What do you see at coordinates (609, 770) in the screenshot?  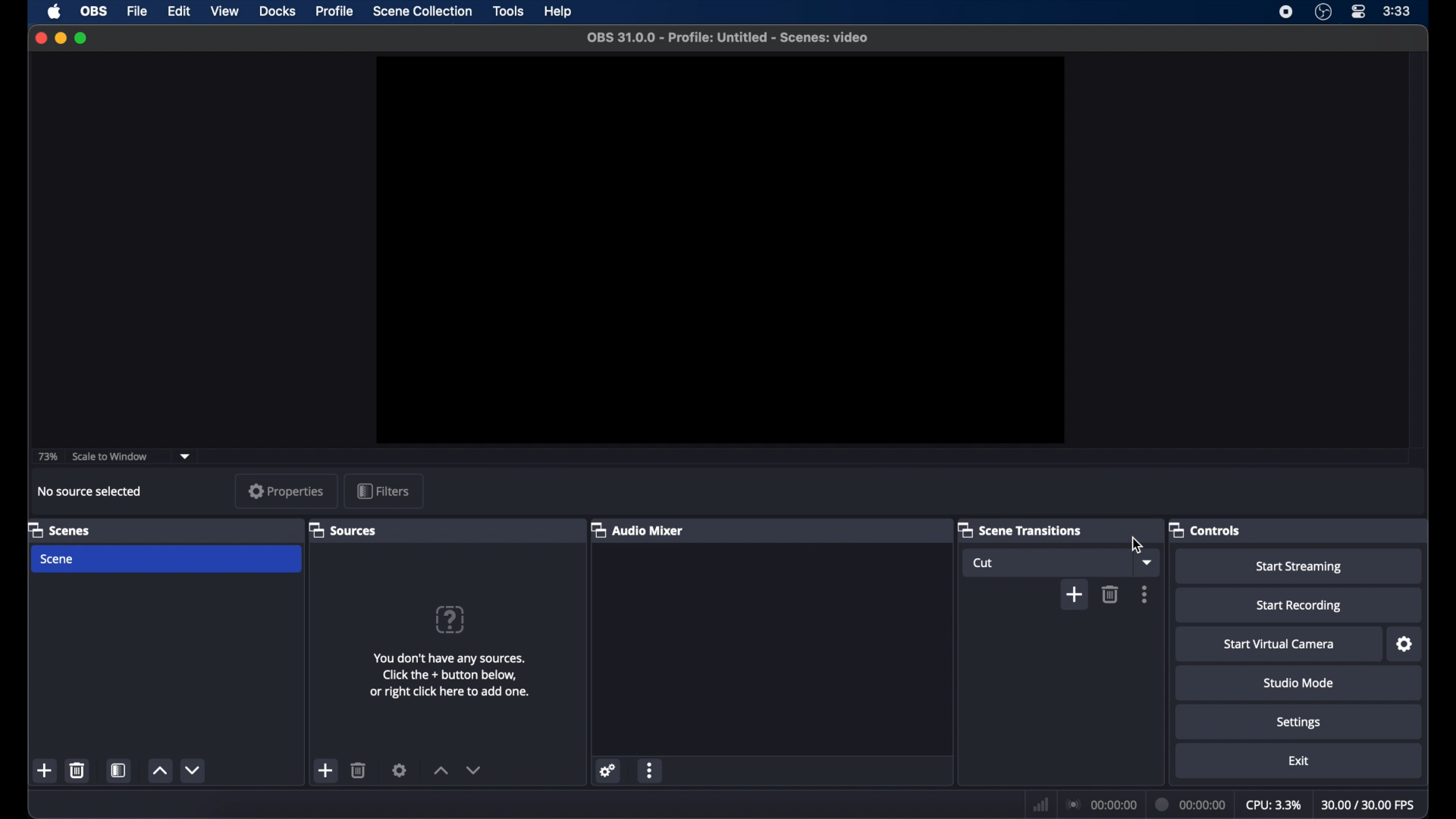 I see `settings` at bounding box center [609, 770].